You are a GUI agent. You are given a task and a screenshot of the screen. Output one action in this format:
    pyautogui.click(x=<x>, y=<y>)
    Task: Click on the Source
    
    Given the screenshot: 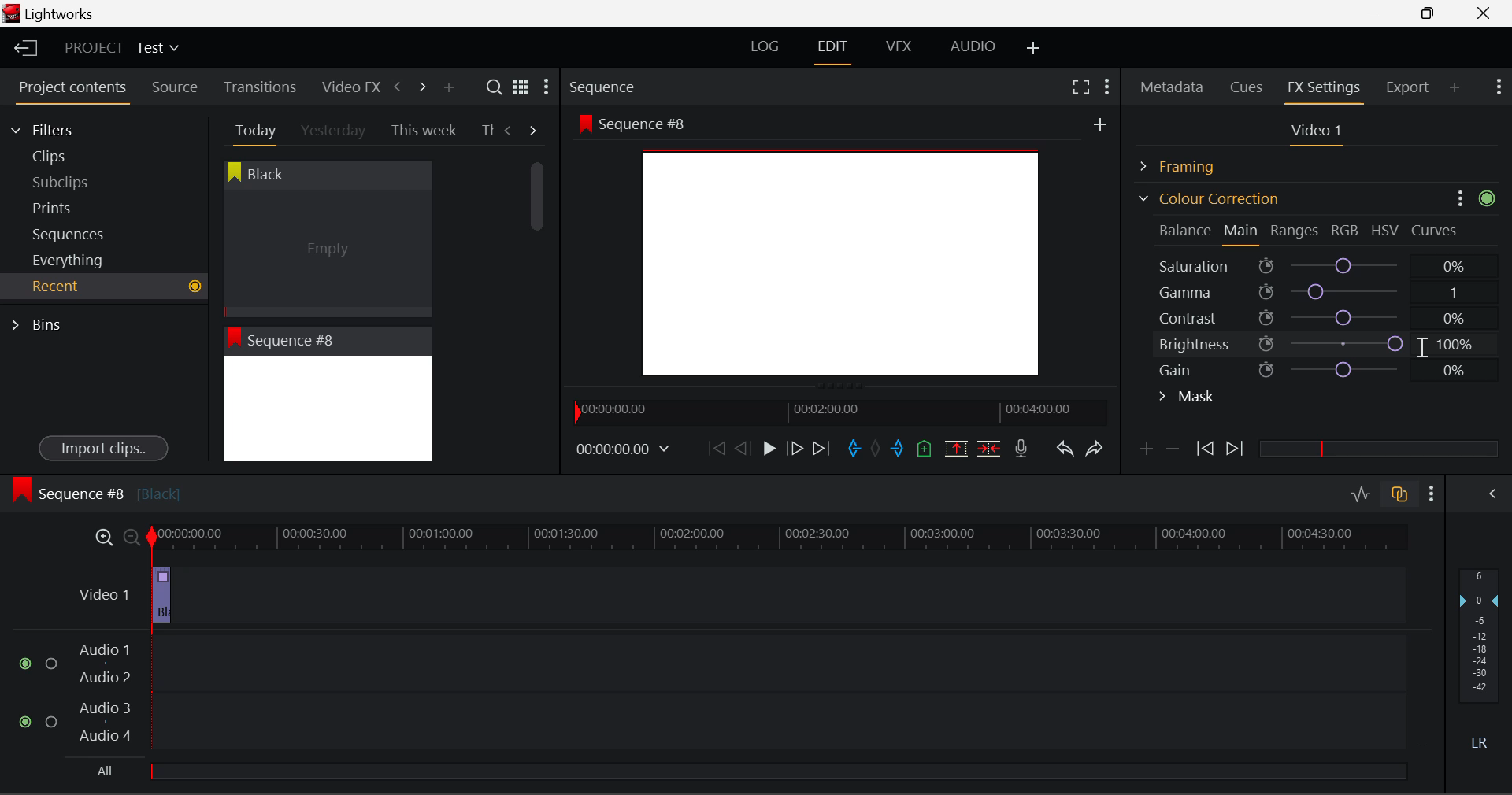 What is the action you would take?
    pyautogui.click(x=175, y=87)
    